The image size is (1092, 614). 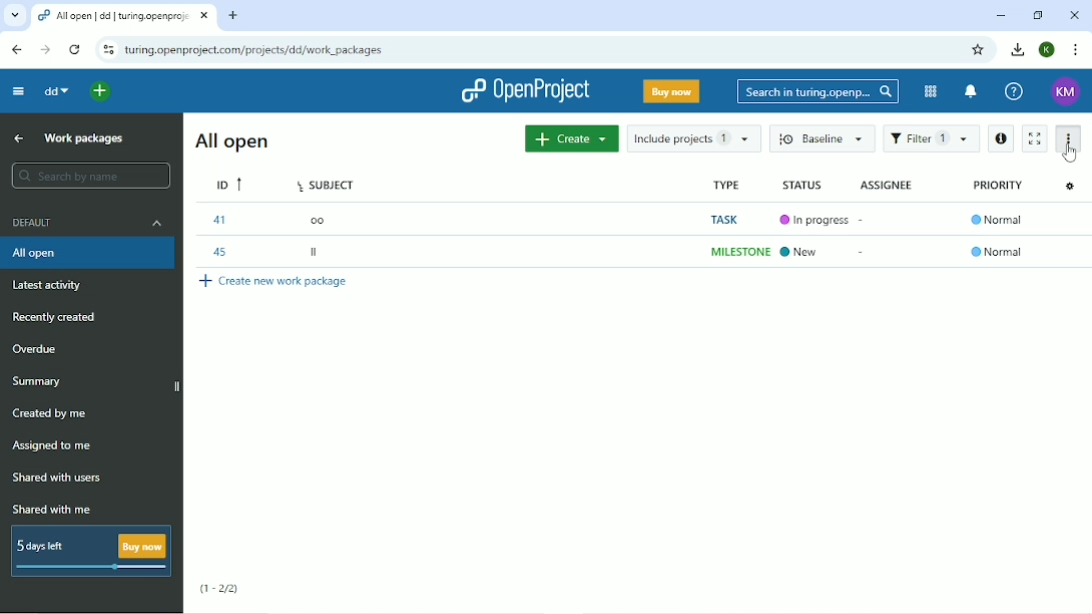 I want to click on Site, so click(x=255, y=50).